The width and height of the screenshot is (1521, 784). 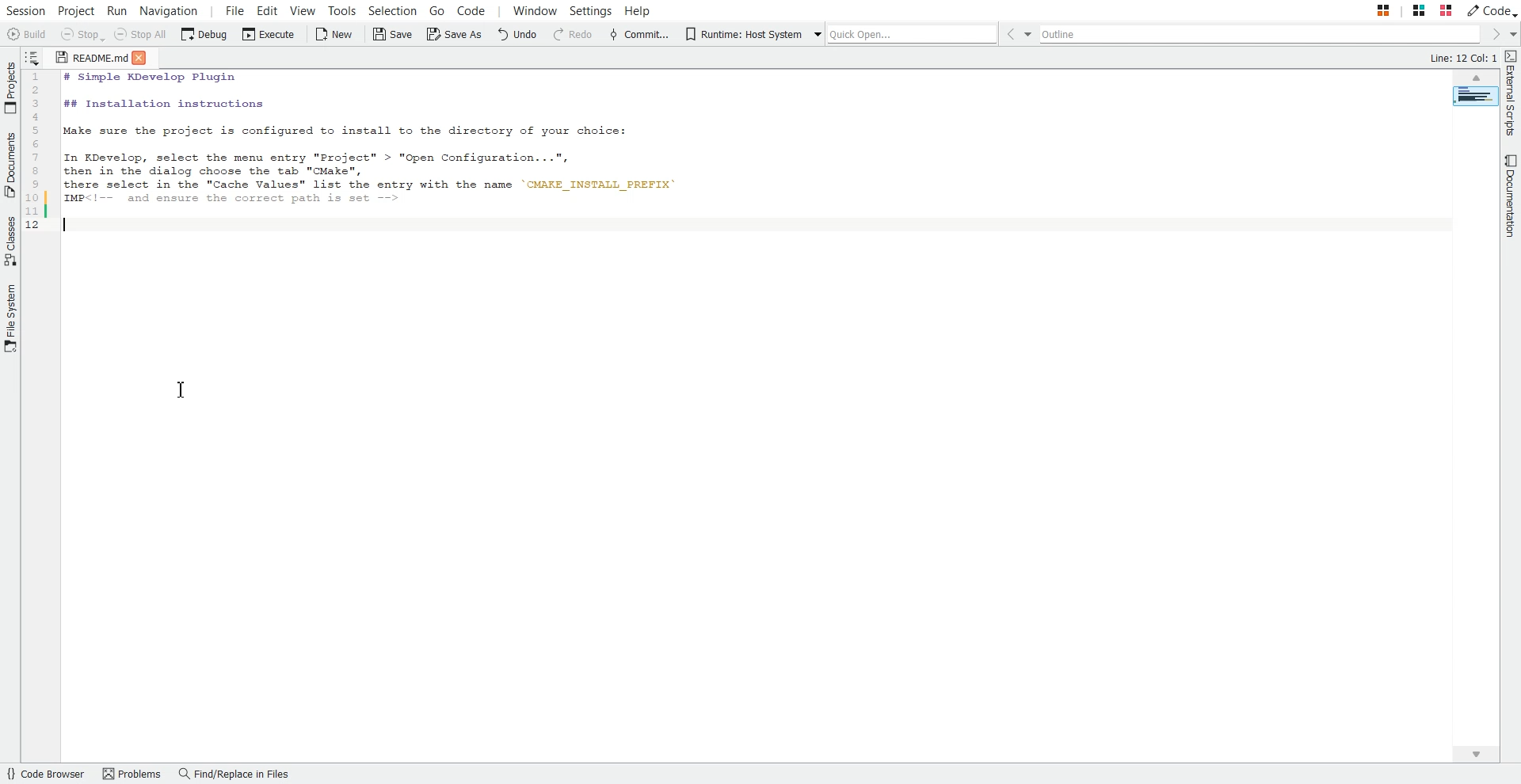 I want to click on Code, so click(x=470, y=10).